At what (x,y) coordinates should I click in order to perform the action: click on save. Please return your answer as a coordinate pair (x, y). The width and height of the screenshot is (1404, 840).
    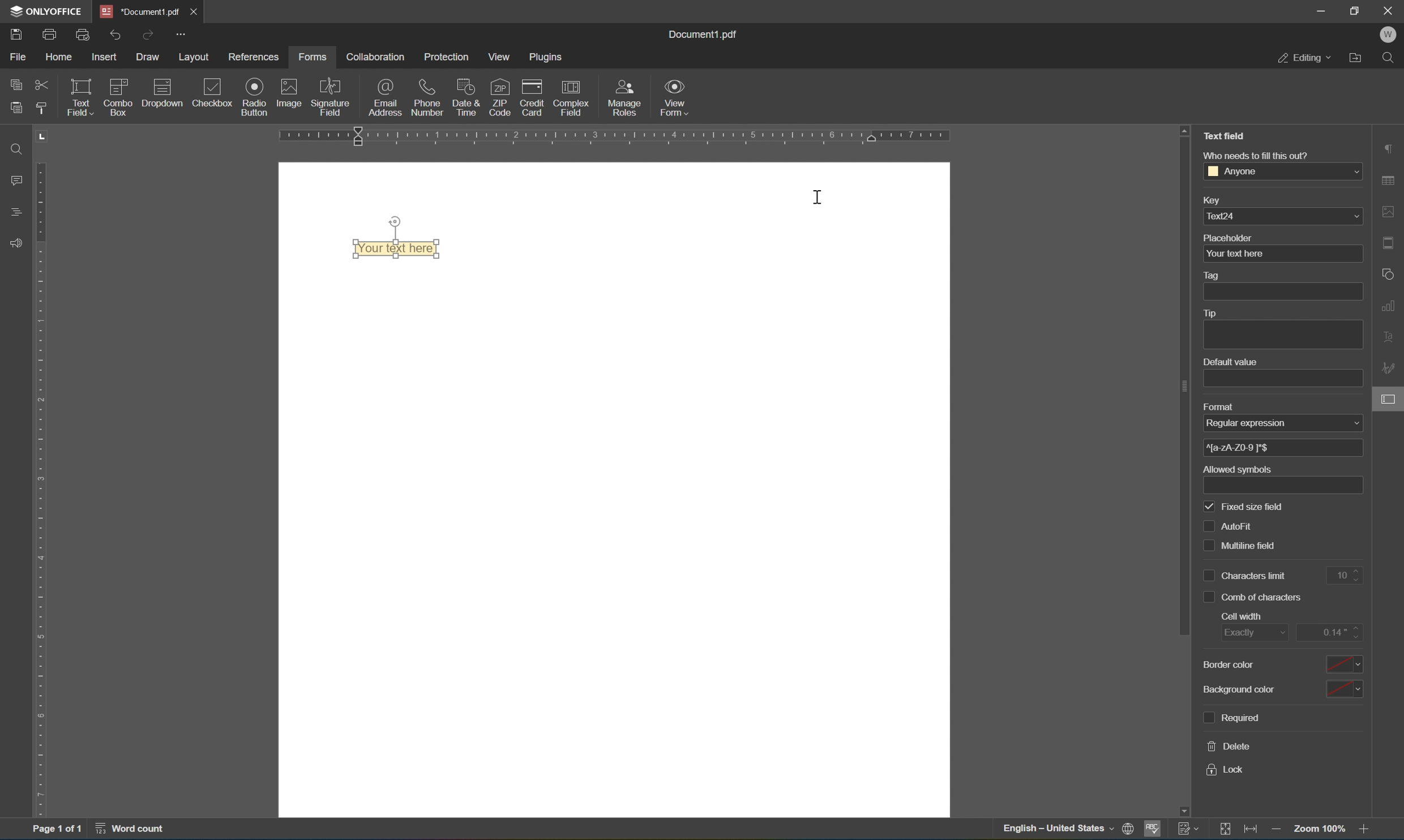
    Looking at the image, I should click on (16, 36).